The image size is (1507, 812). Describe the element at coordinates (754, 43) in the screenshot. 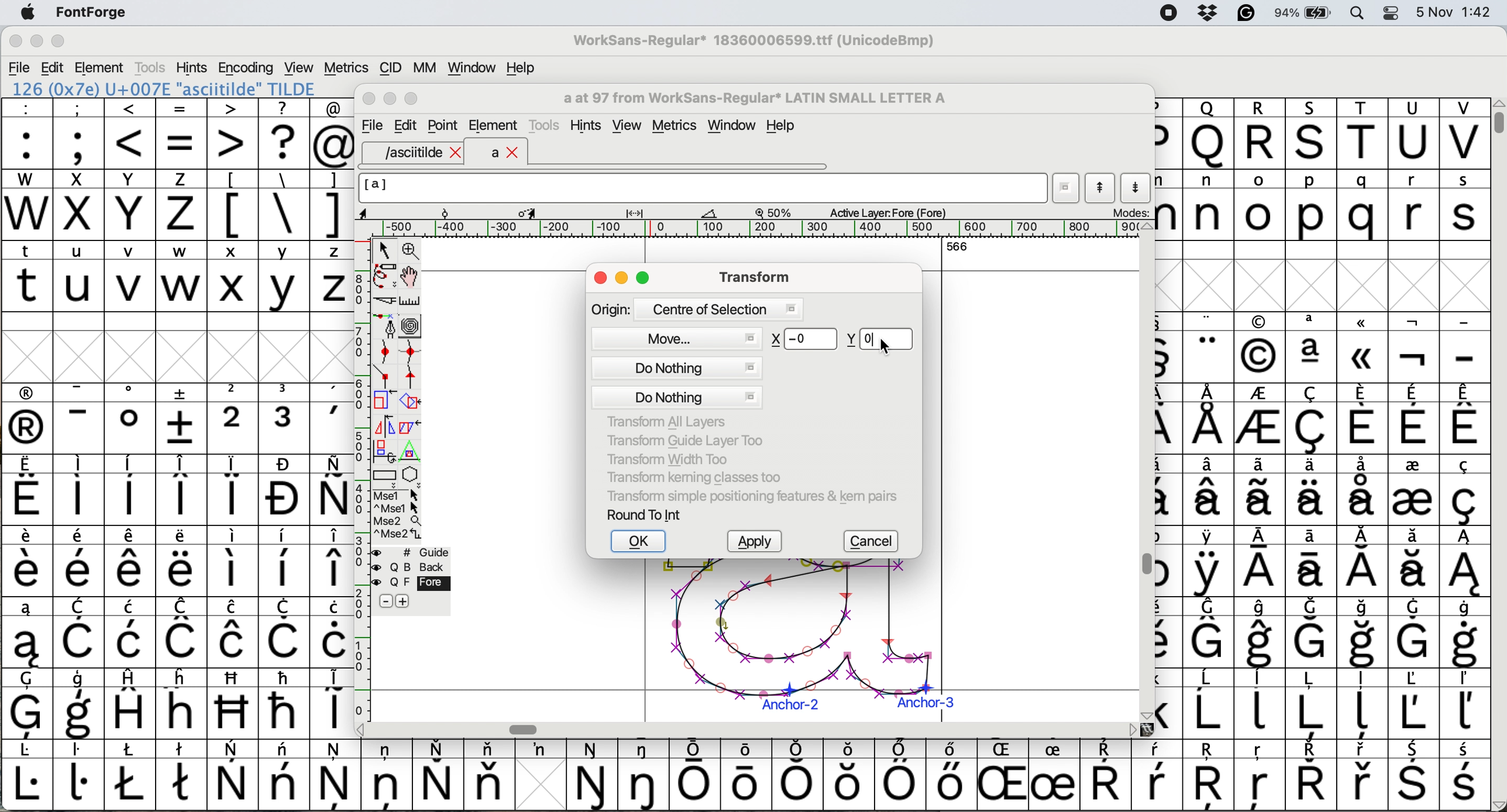

I see `WorkSans-Regular 18360006599.ttf (UnicodeBmp)` at that location.